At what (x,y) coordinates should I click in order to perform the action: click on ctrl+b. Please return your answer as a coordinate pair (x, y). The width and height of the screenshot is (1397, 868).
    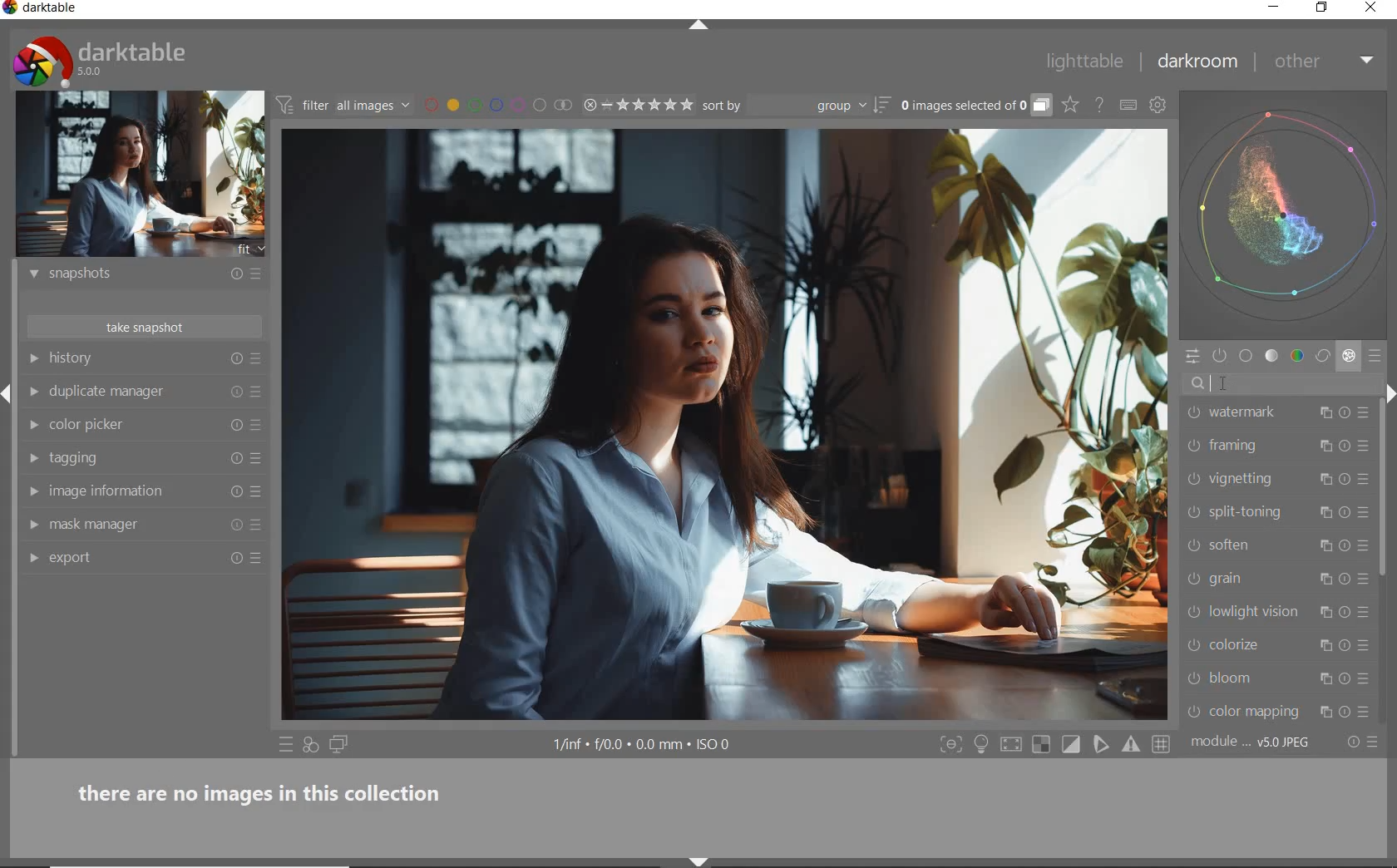
    Looking at the image, I should click on (983, 744).